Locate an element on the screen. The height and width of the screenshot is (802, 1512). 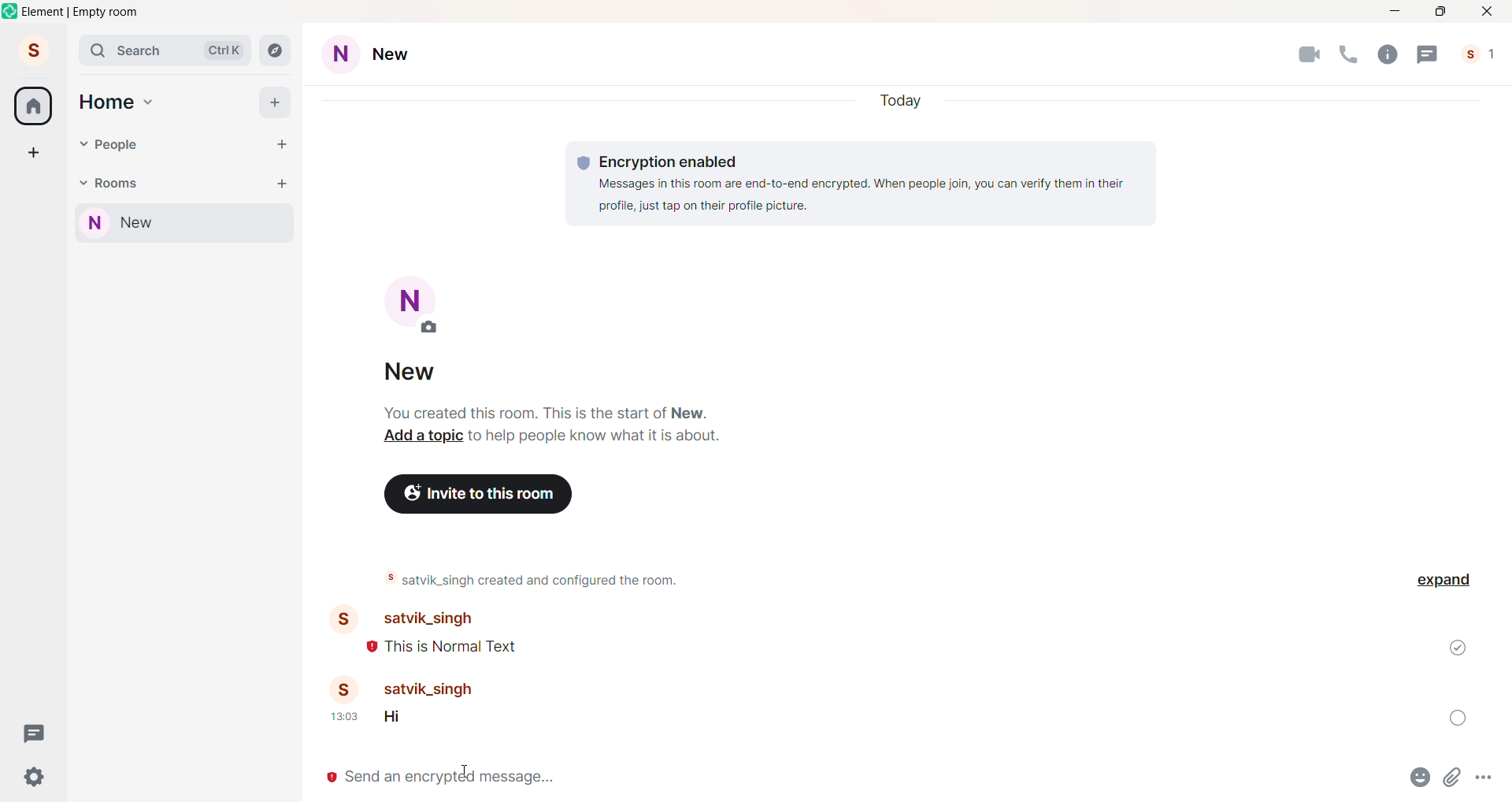
satvik_singh created and configured the room. is located at coordinates (539, 578).